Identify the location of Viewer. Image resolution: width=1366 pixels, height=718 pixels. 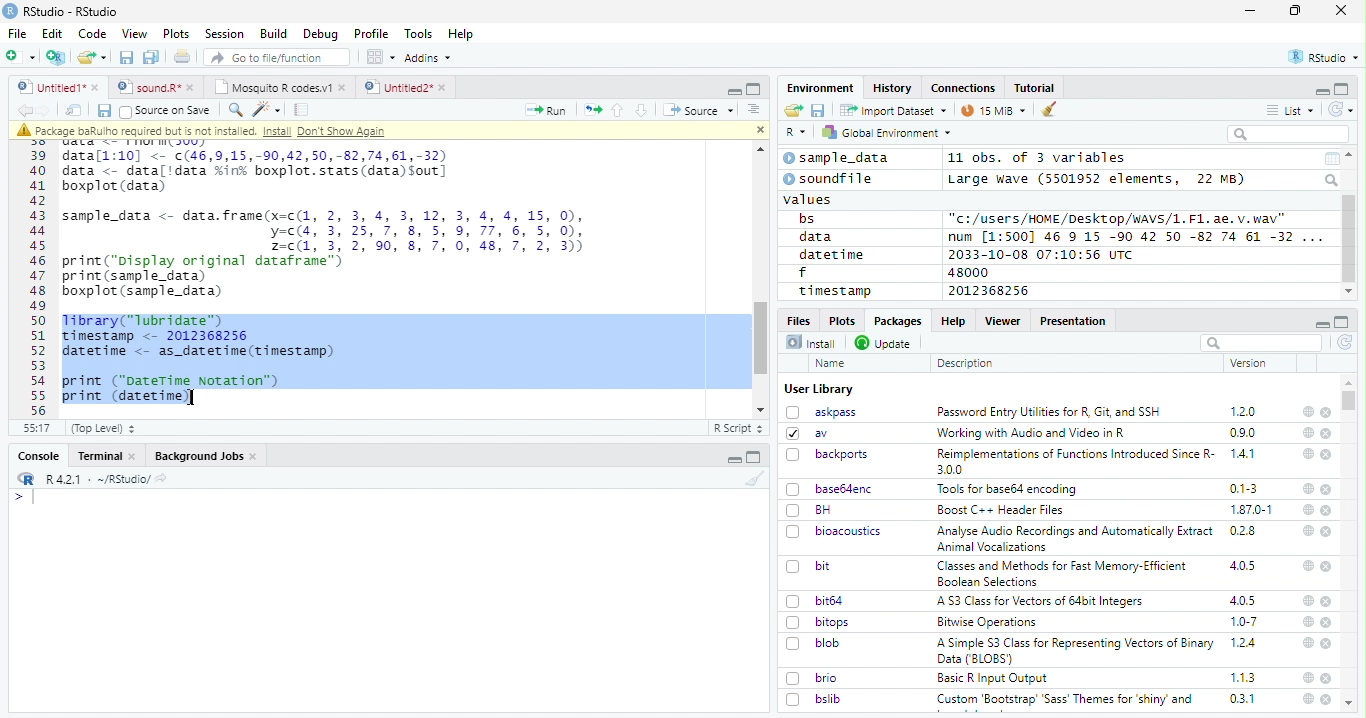
(1003, 320).